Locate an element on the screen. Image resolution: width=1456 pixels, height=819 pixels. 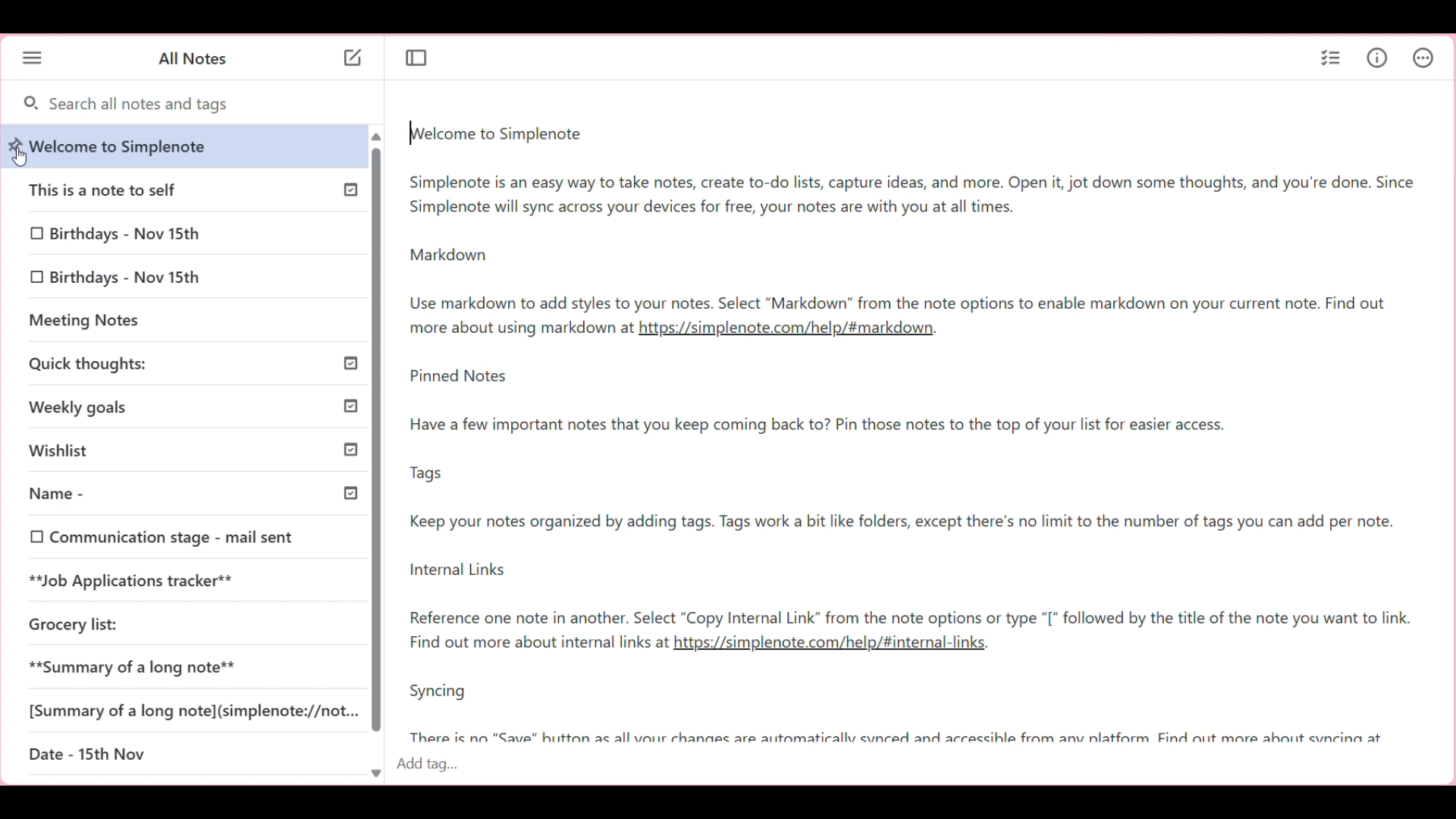
This is a note to self is located at coordinates (133, 189).